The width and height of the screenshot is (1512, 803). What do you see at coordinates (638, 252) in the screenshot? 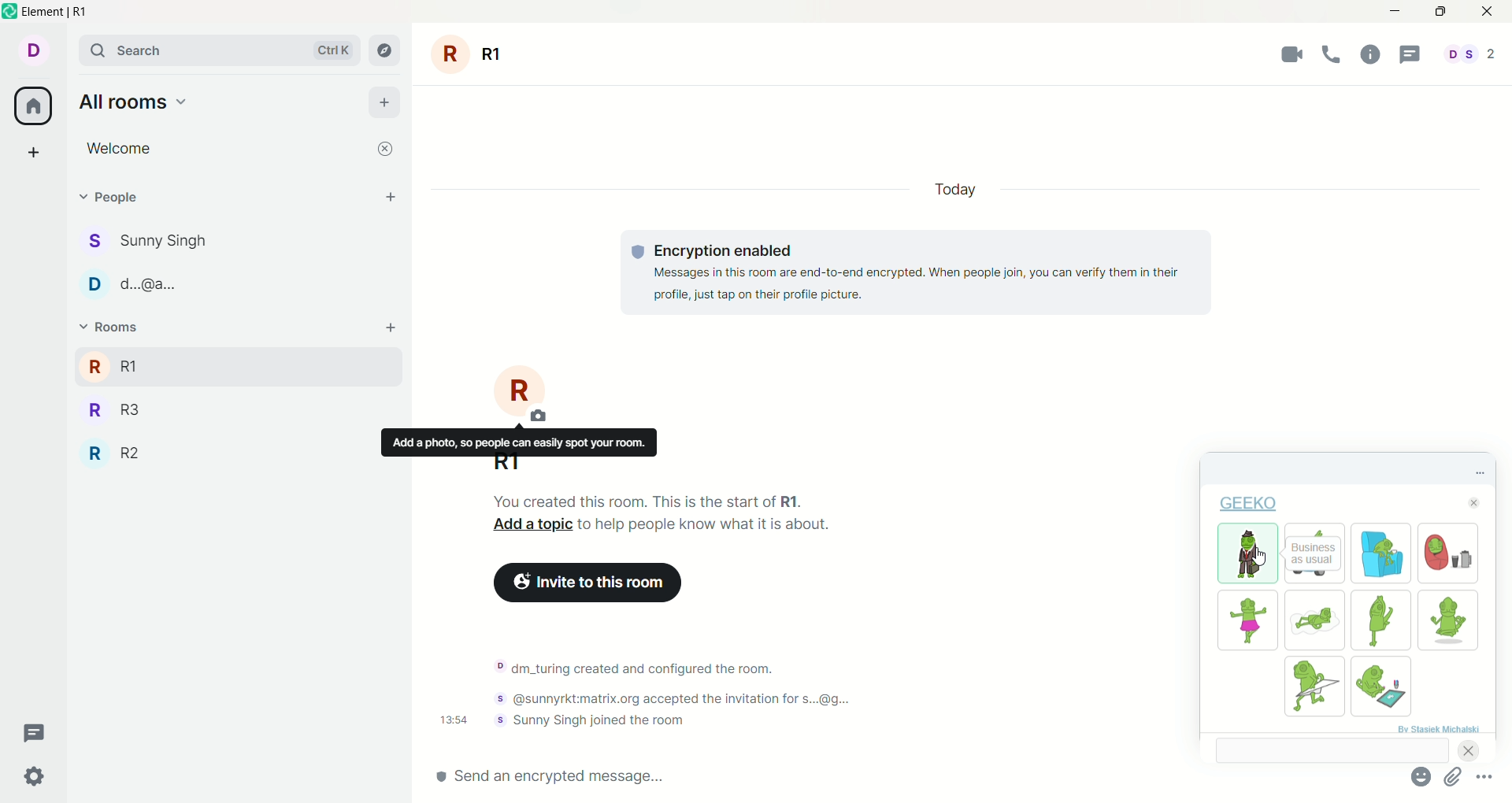
I see `Text logo` at bounding box center [638, 252].